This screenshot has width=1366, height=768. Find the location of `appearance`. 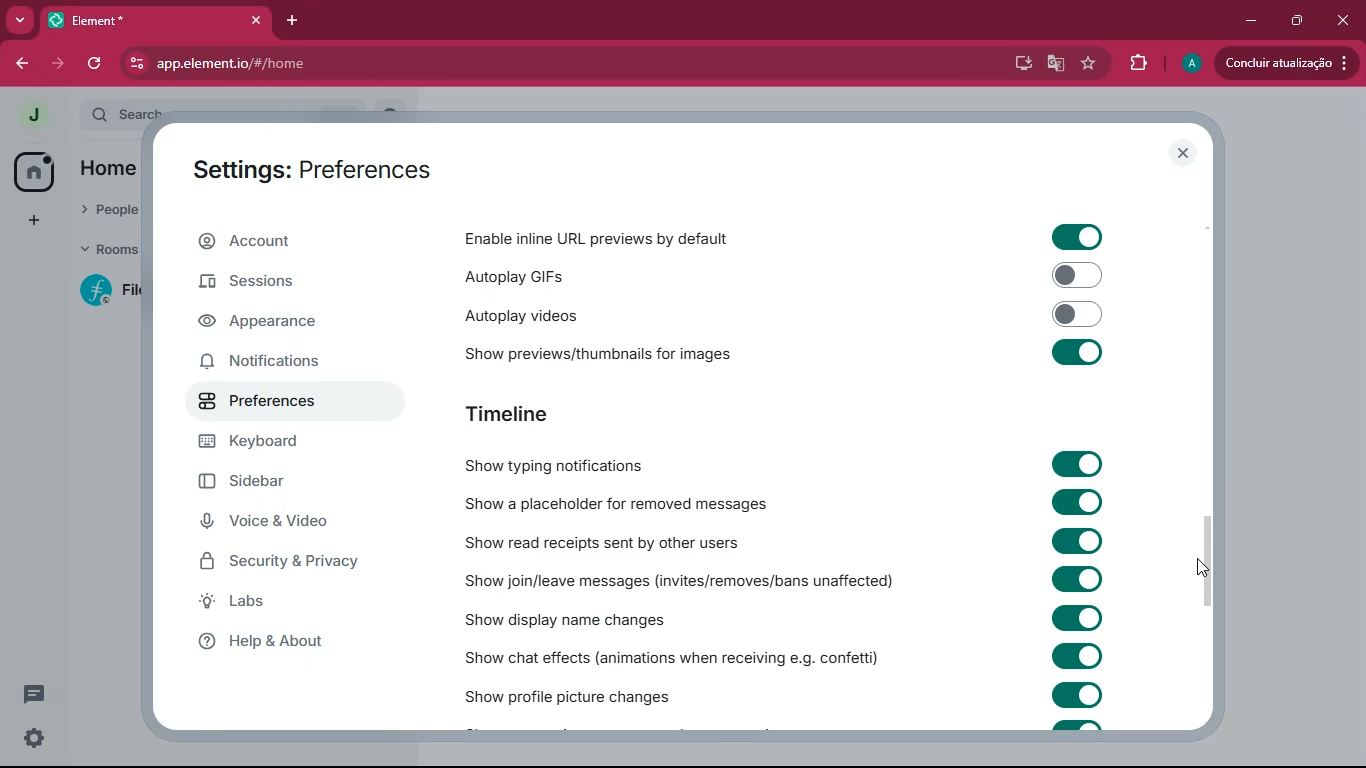

appearance is located at coordinates (273, 324).